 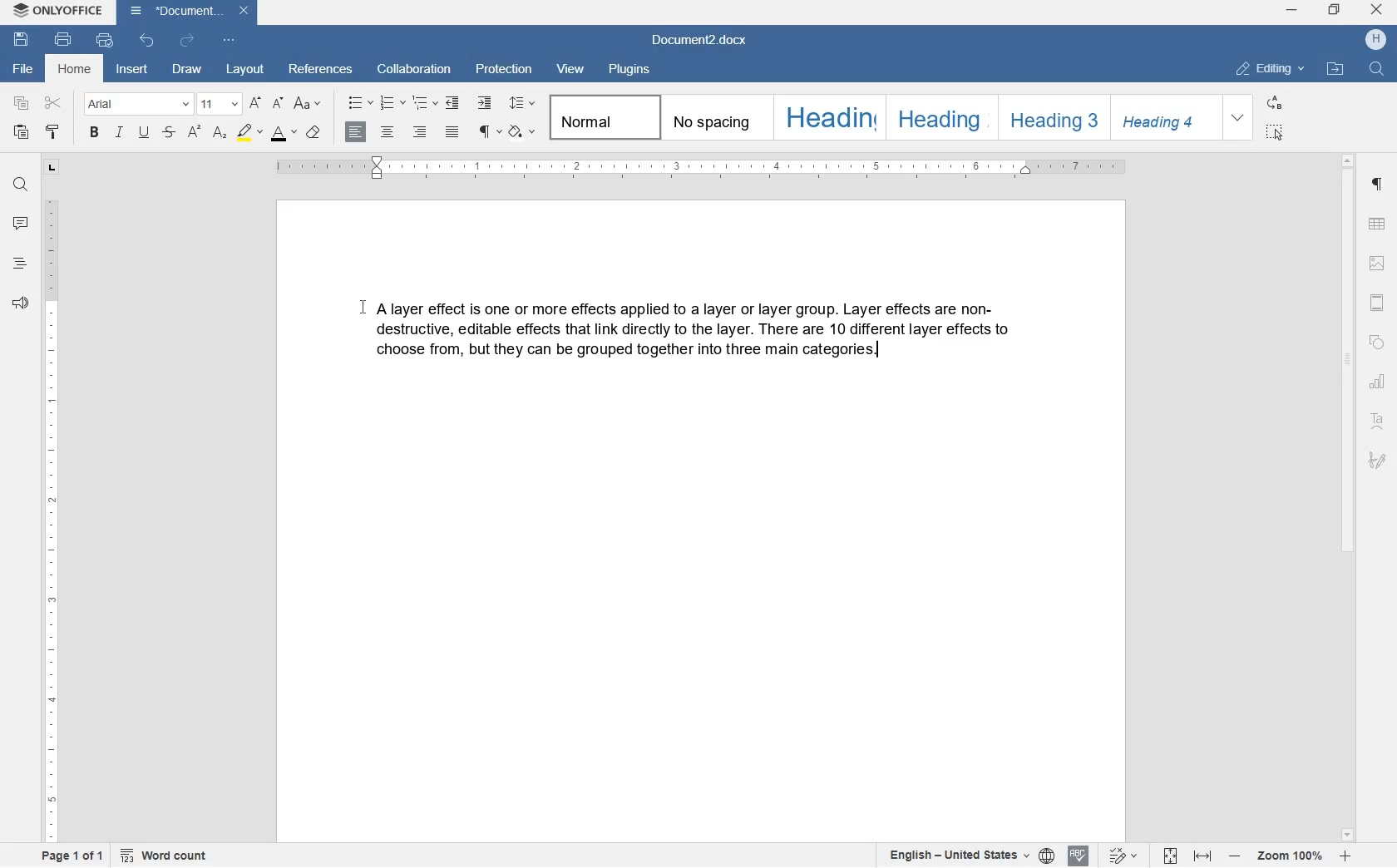 I want to click on image, so click(x=1377, y=263).